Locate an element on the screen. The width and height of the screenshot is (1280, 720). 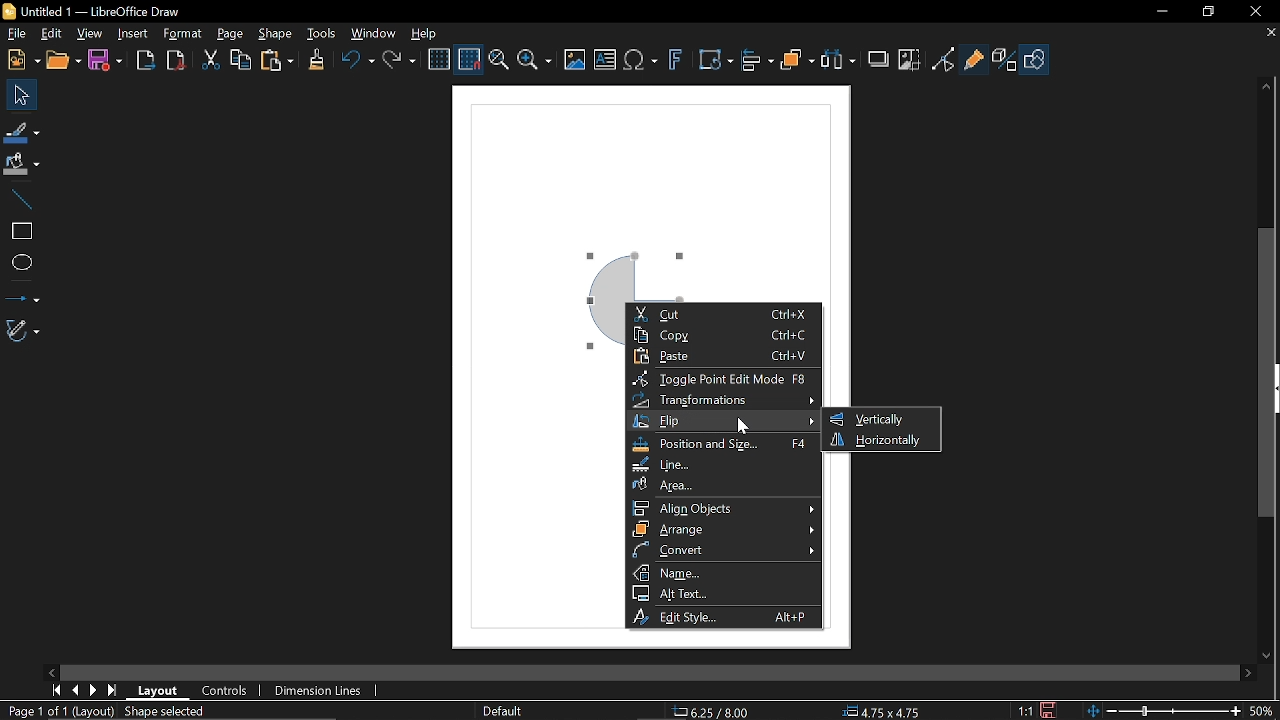
Transformation is located at coordinates (716, 60).